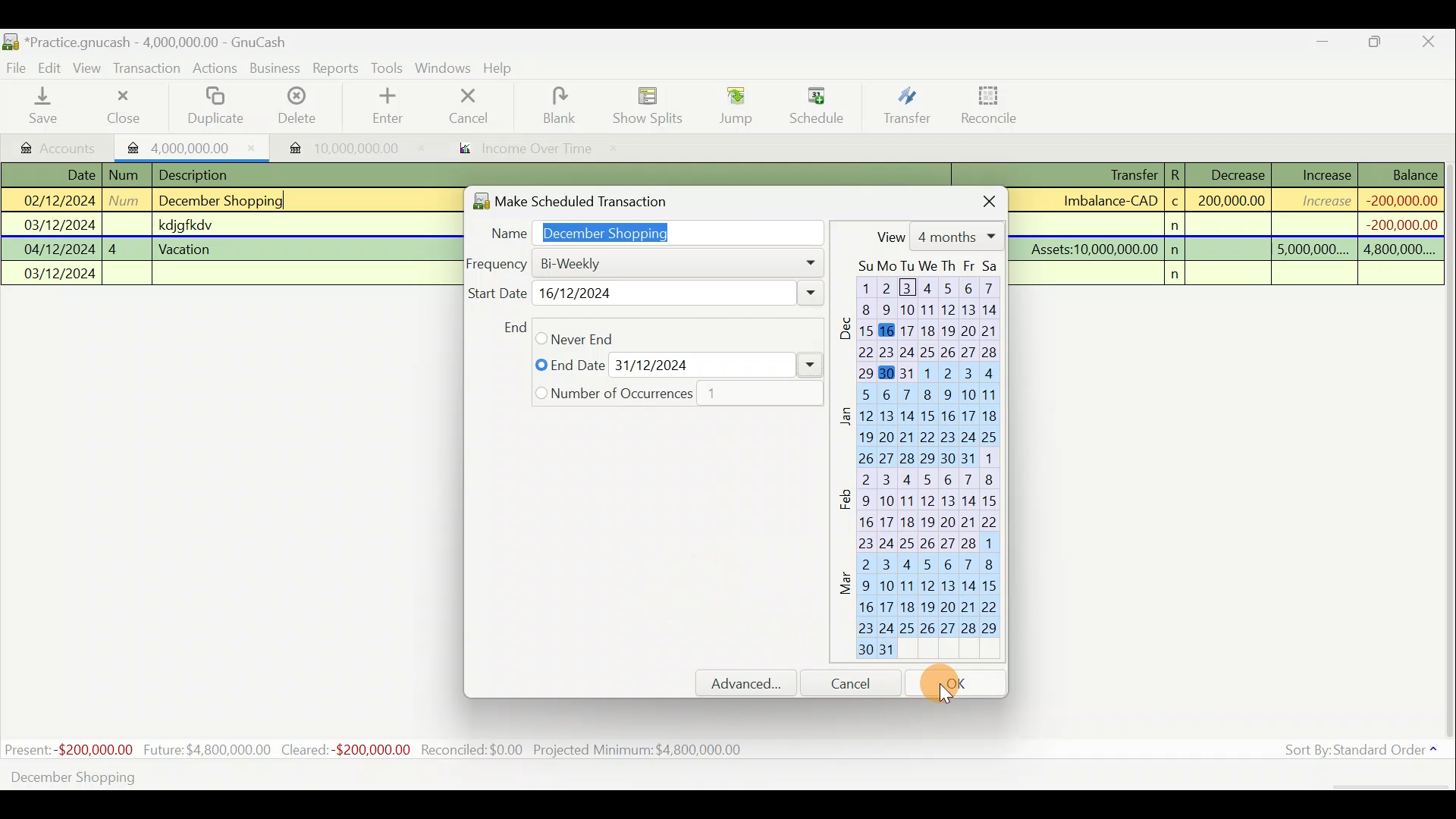 Image resolution: width=1456 pixels, height=819 pixels. What do you see at coordinates (729, 463) in the screenshot?
I see `Calender` at bounding box center [729, 463].